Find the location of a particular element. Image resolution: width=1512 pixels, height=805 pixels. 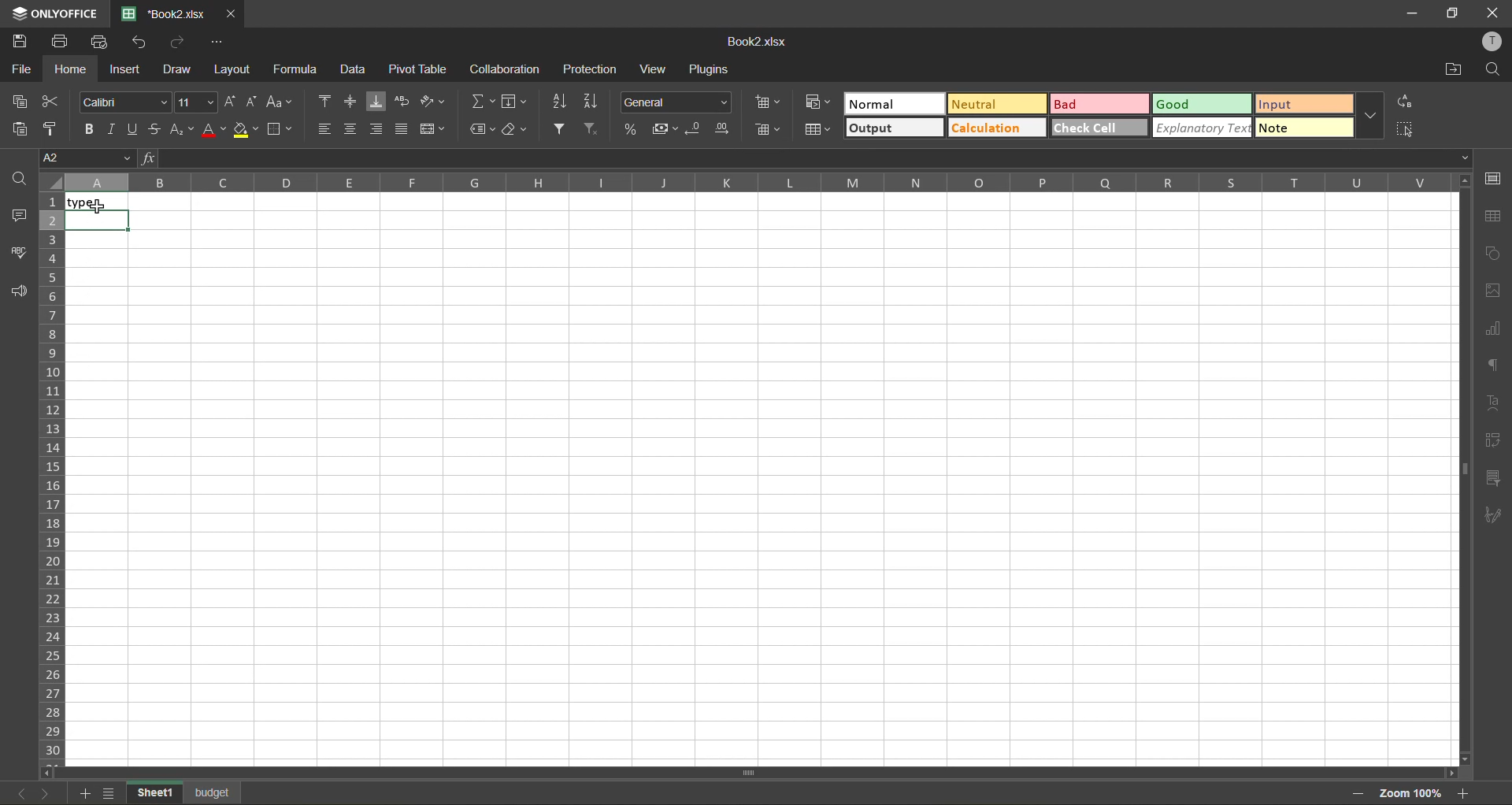

calculation is located at coordinates (997, 129).